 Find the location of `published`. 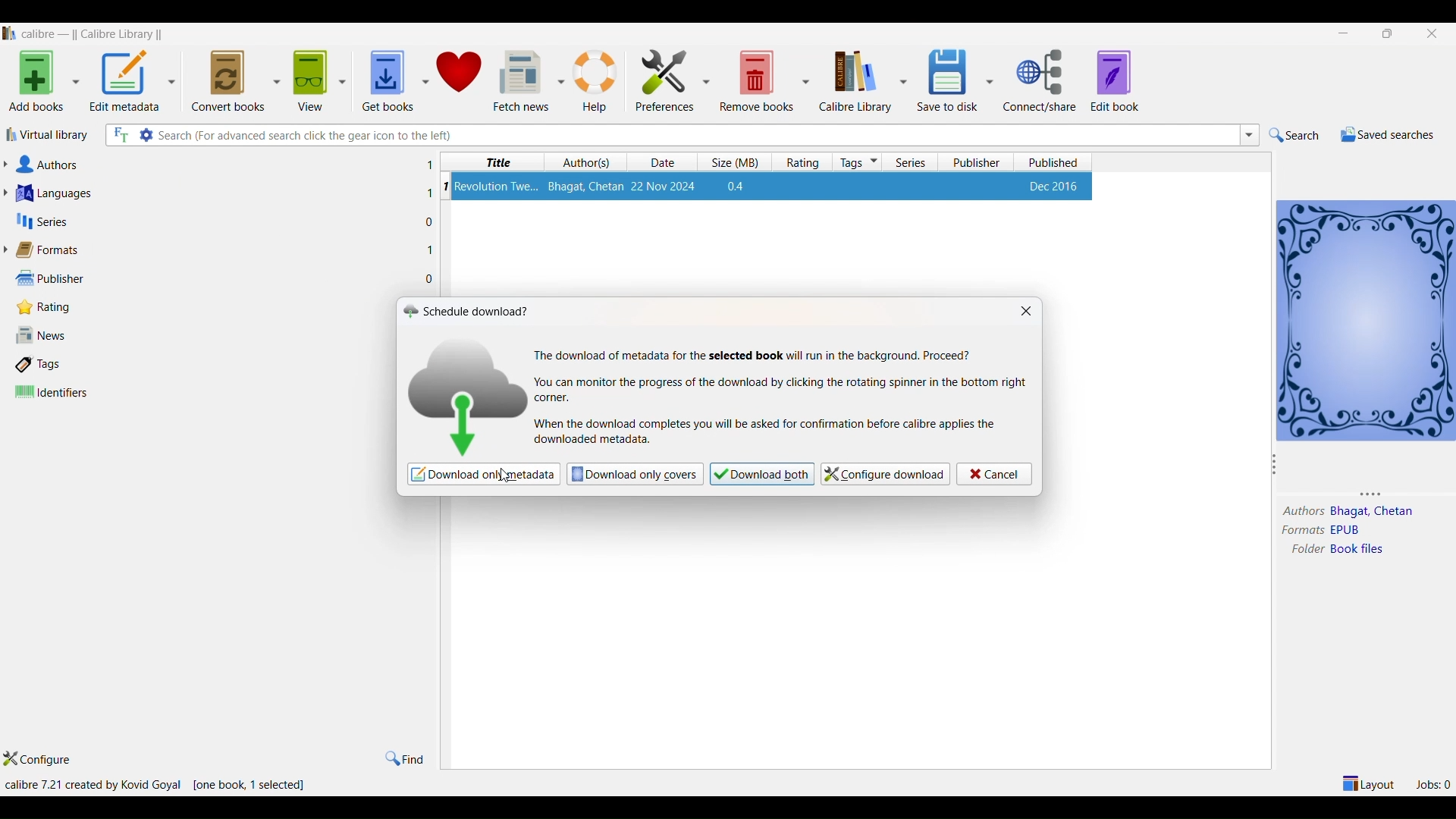

published is located at coordinates (1055, 162).